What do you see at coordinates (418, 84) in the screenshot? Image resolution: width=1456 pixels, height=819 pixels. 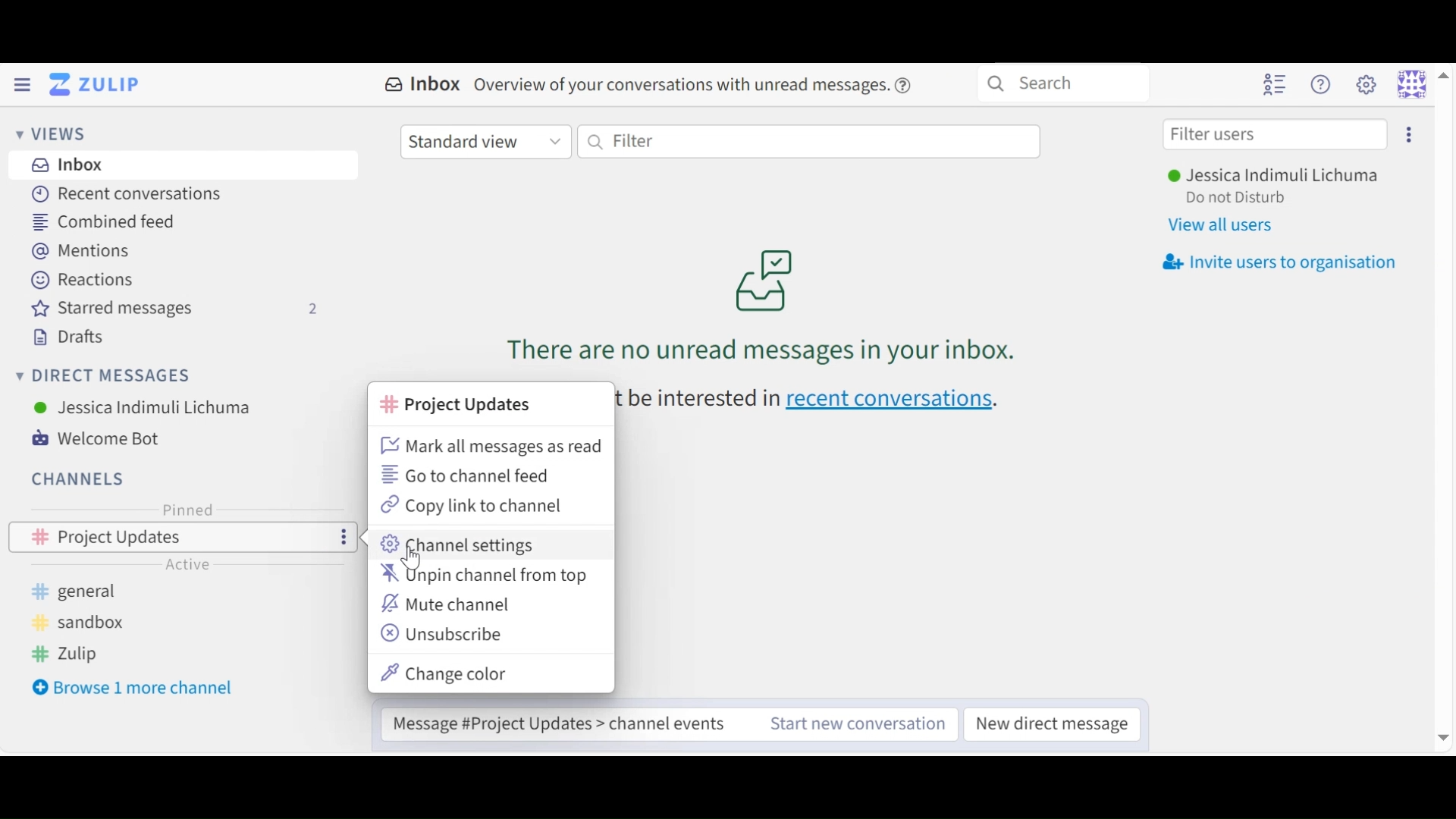 I see `Inbox` at bounding box center [418, 84].